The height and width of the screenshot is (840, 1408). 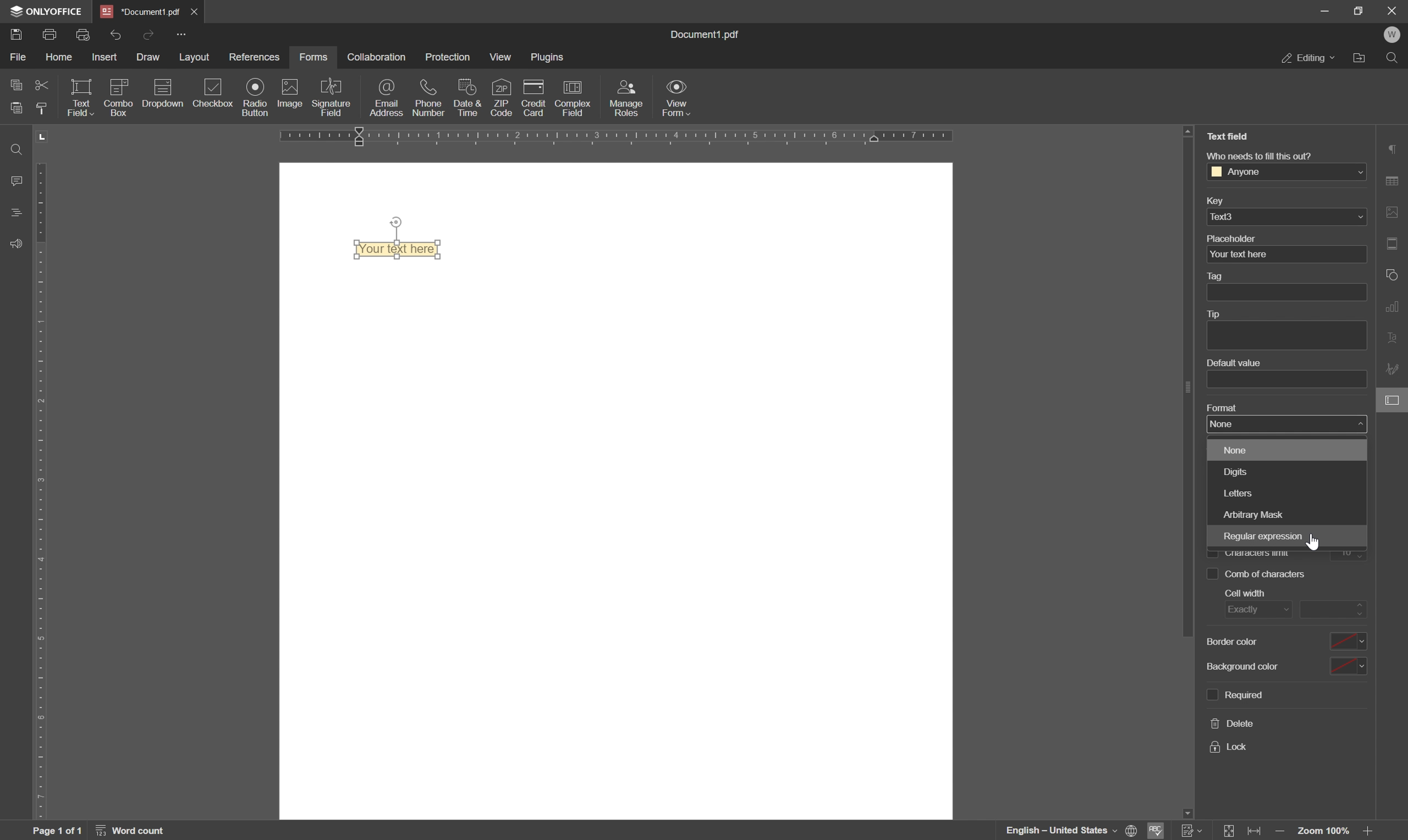 I want to click on placeholder, so click(x=1233, y=238).